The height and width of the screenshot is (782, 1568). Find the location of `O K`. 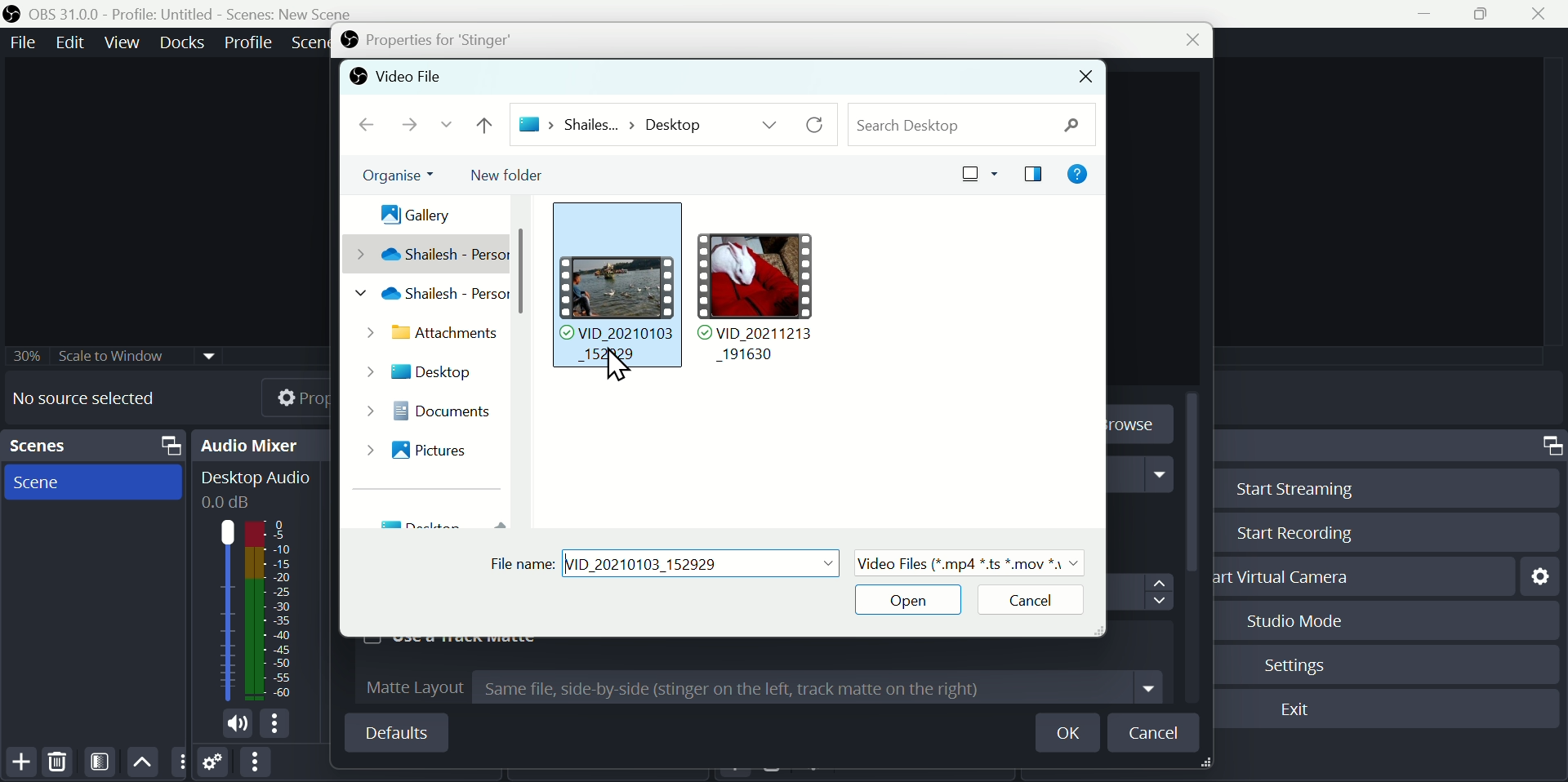

O K is located at coordinates (1073, 733).